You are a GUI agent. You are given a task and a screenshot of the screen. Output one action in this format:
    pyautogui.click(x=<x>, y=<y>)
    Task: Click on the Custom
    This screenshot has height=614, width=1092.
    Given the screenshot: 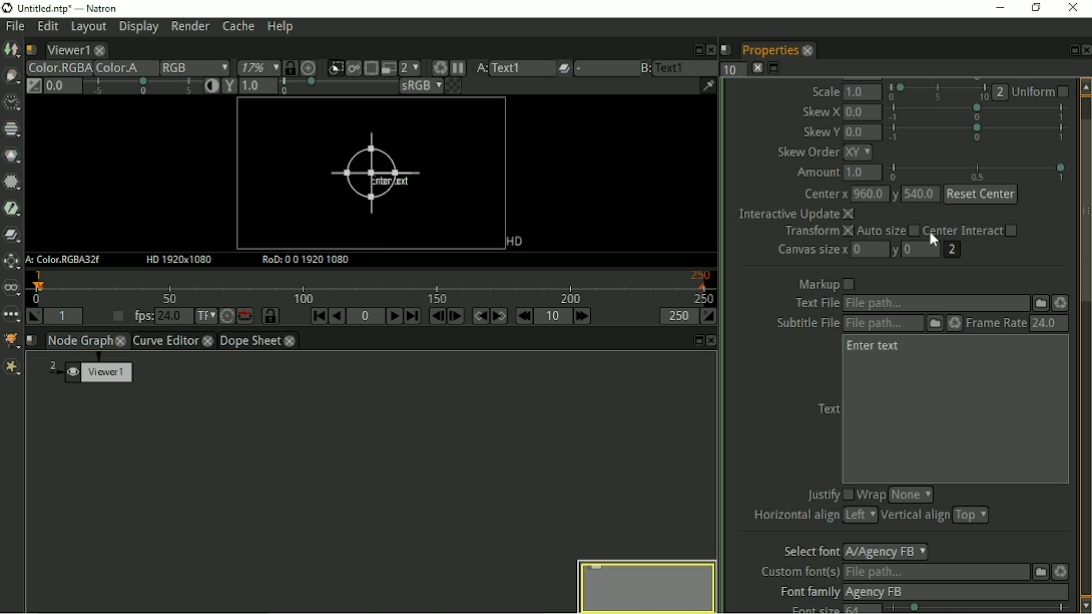 What is the action you would take?
    pyautogui.click(x=1038, y=571)
    